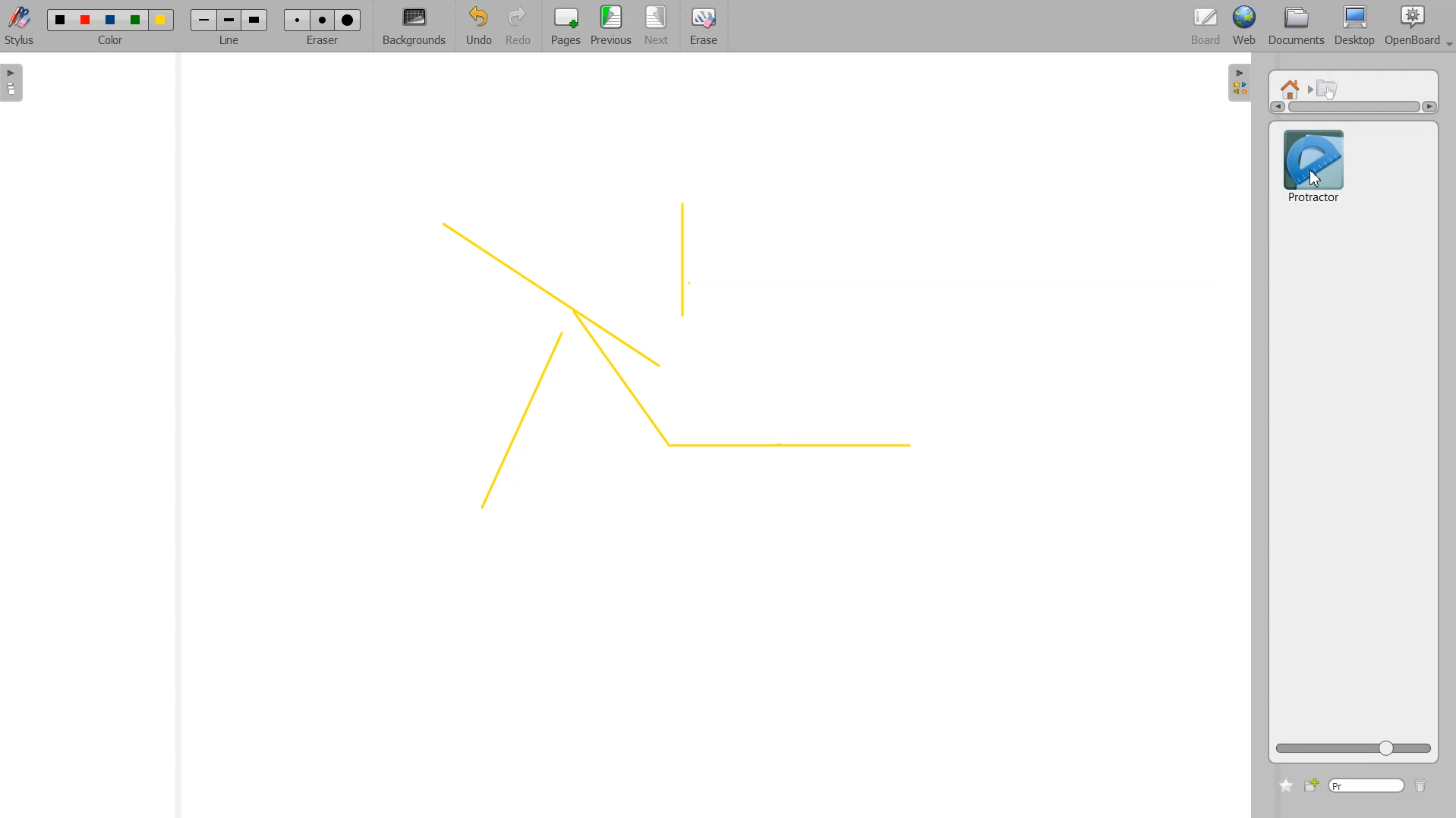 This screenshot has width=1456, height=818. Describe the element at coordinates (111, 20) in the screenshot. I see `Color` at that location.